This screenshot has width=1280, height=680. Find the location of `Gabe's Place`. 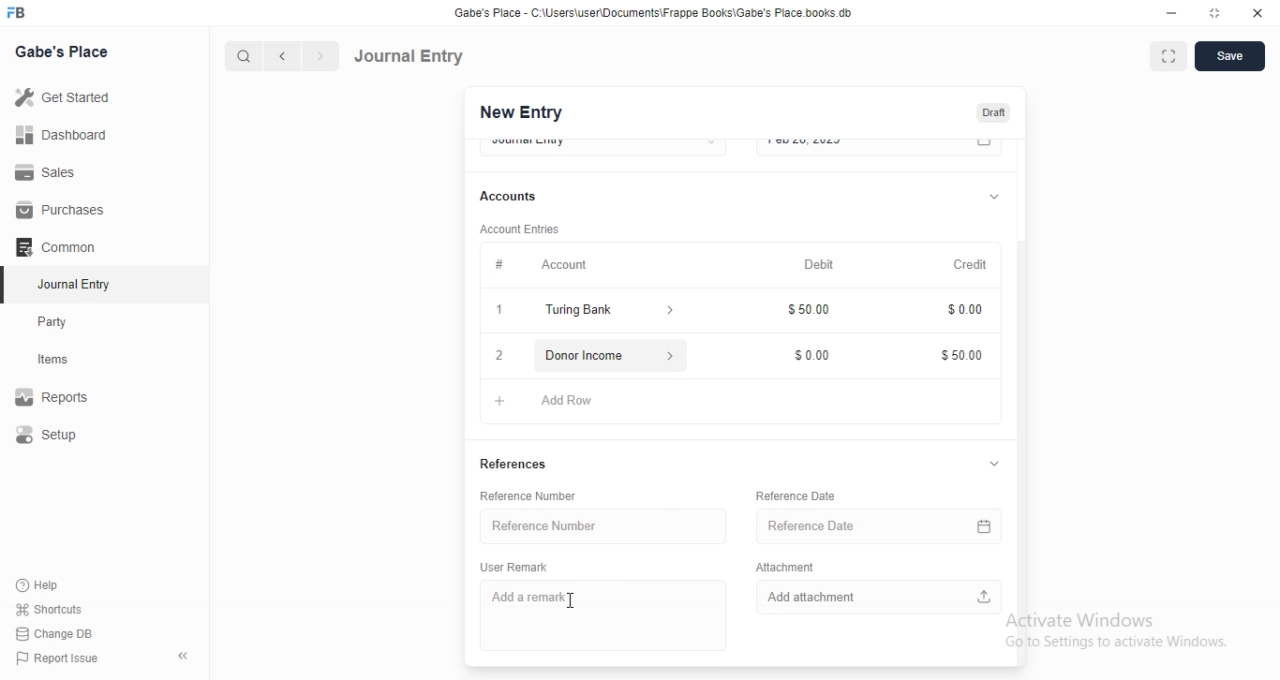

Gabe's Place is located at coordinates (62, 51).